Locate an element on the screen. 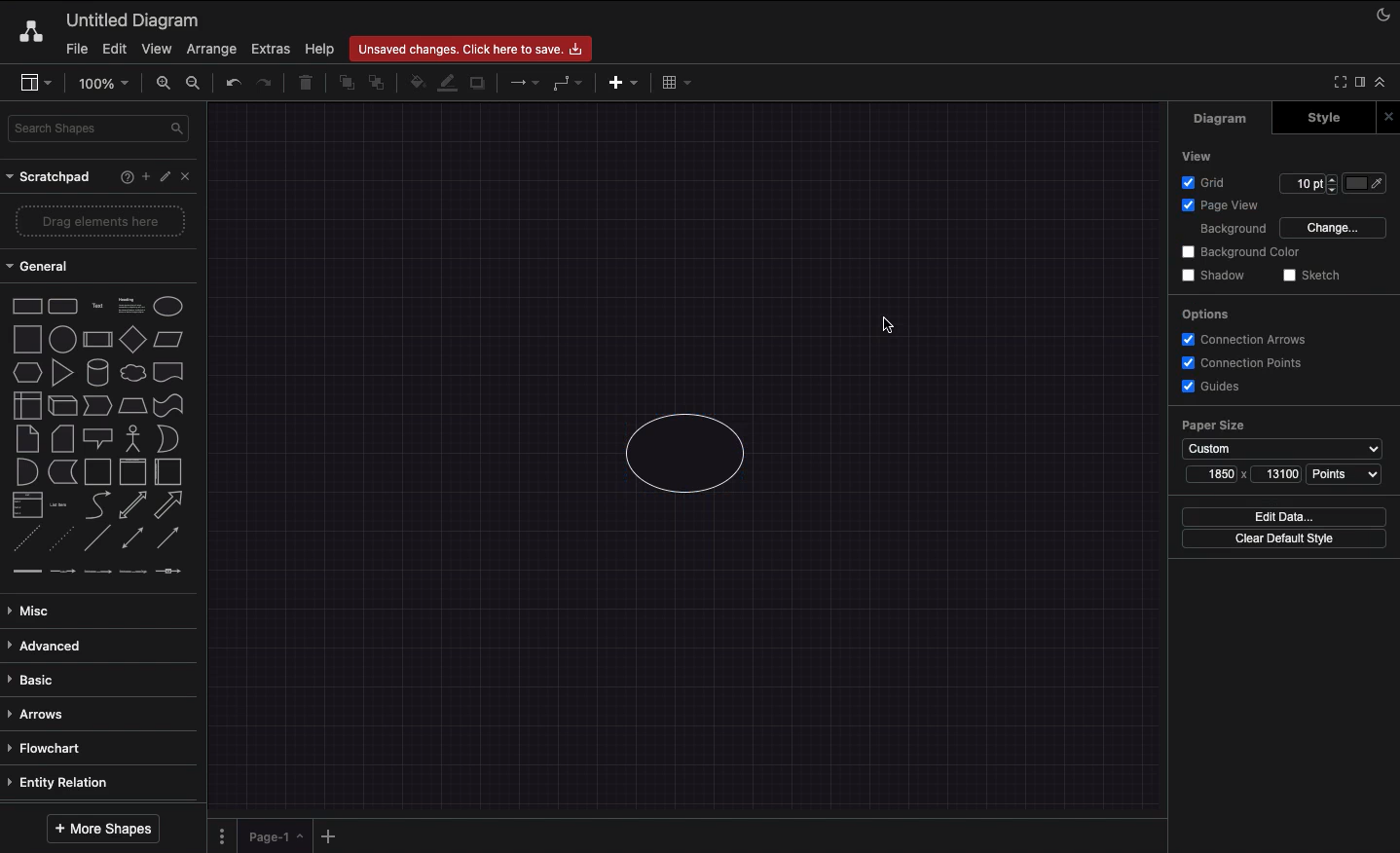 This screenshot has width=1400, height=853. Edit is located at coordinates (167, 177).